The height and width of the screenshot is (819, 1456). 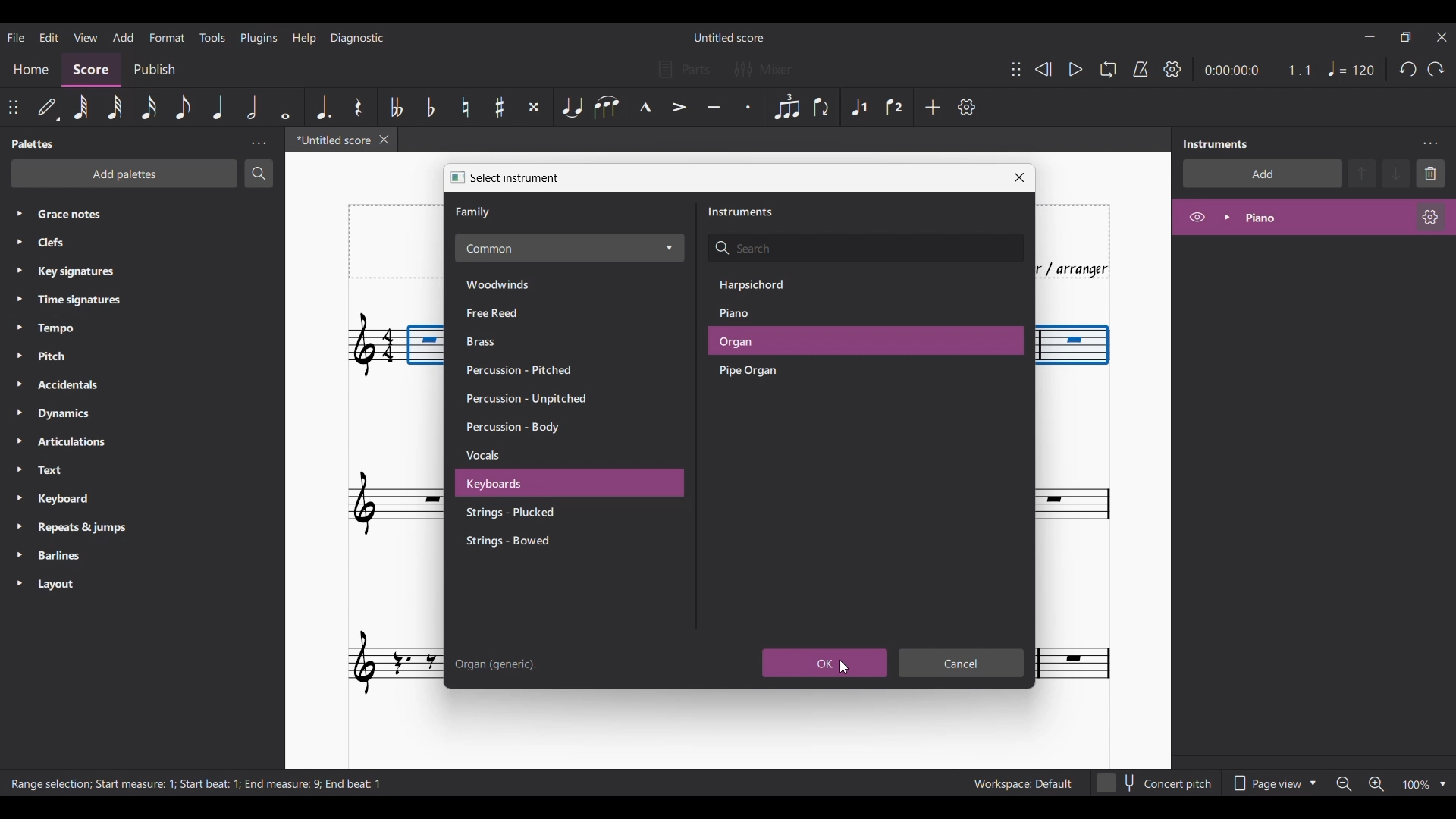 What do you see at coordinates (527, 428) in the screenshot?
I see `Percussion - Body` at bounding box center [527, 428].